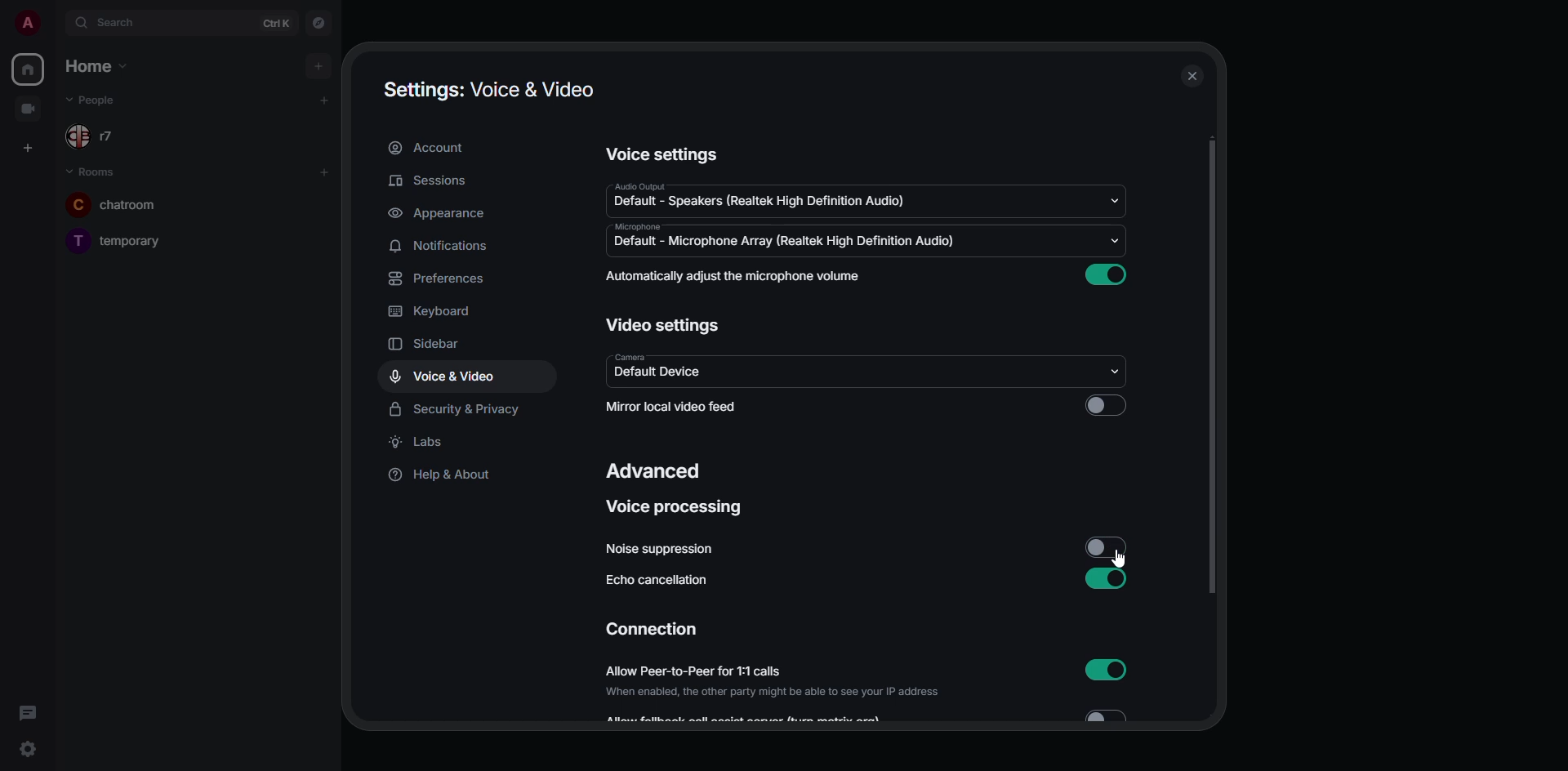 The height and width of the screenshot is (771, 1568). What do you see at coordinates (439, 377) in the screenshot?
I see `voice & video` at bounding box center [439, 377].